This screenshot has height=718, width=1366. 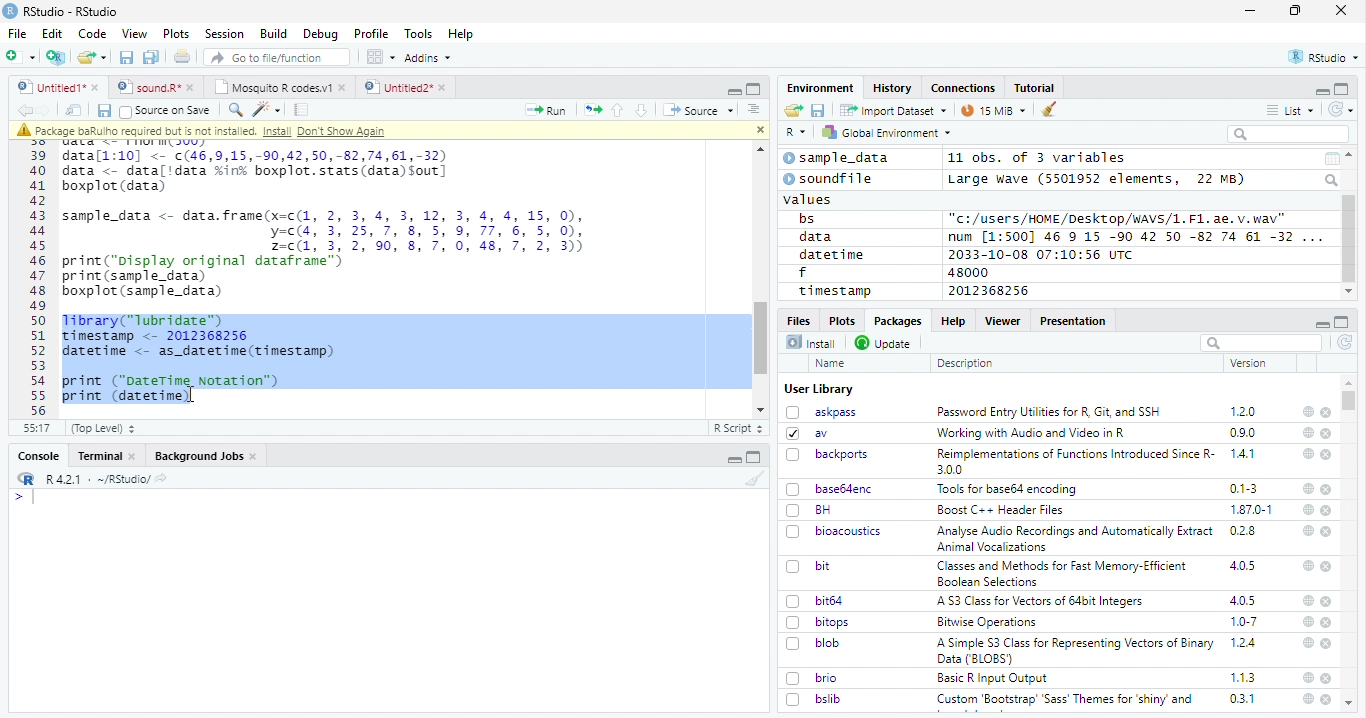 I want to click on soundfile, so click(x=829, y=179).